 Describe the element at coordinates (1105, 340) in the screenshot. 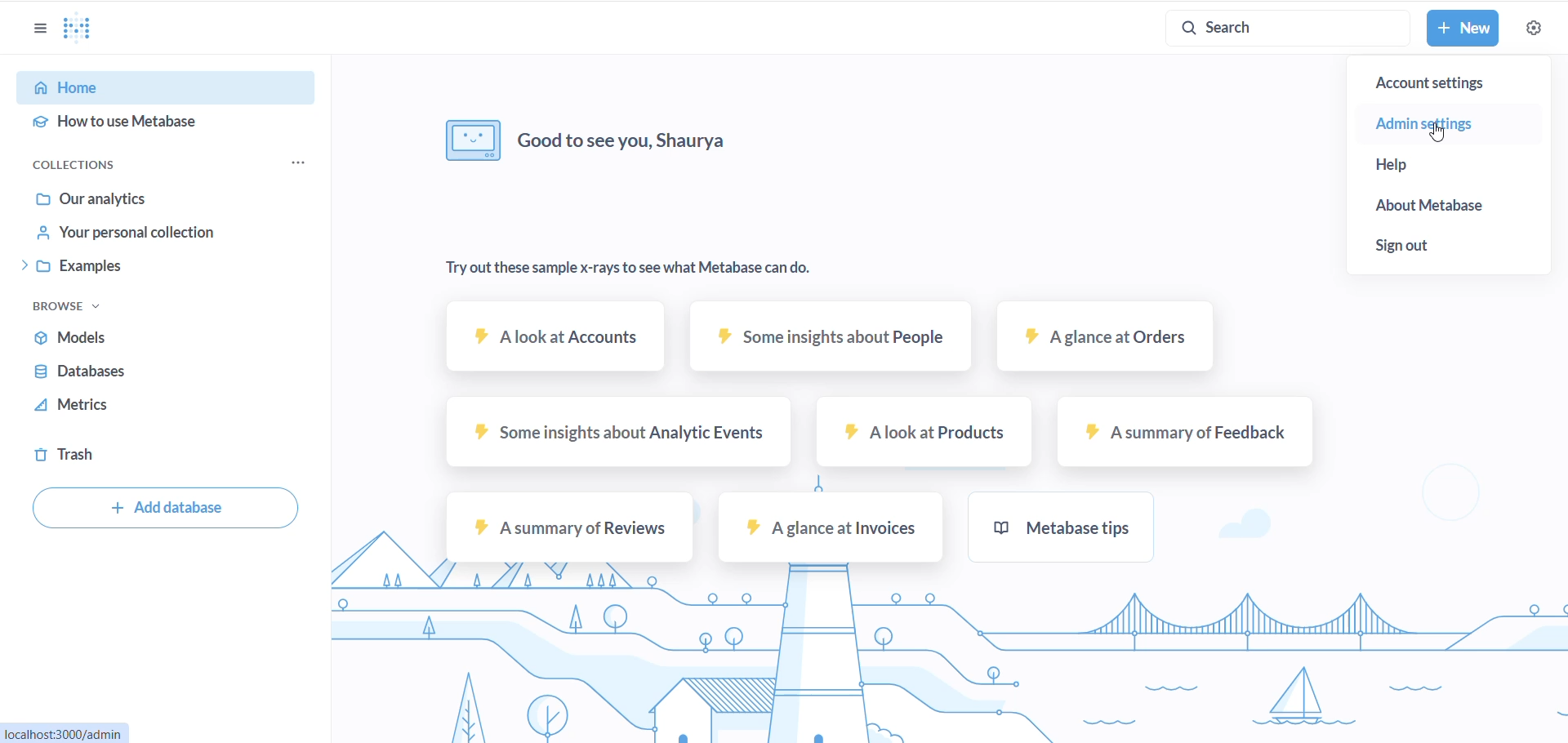

I see `A glance at orders sample` at that location.